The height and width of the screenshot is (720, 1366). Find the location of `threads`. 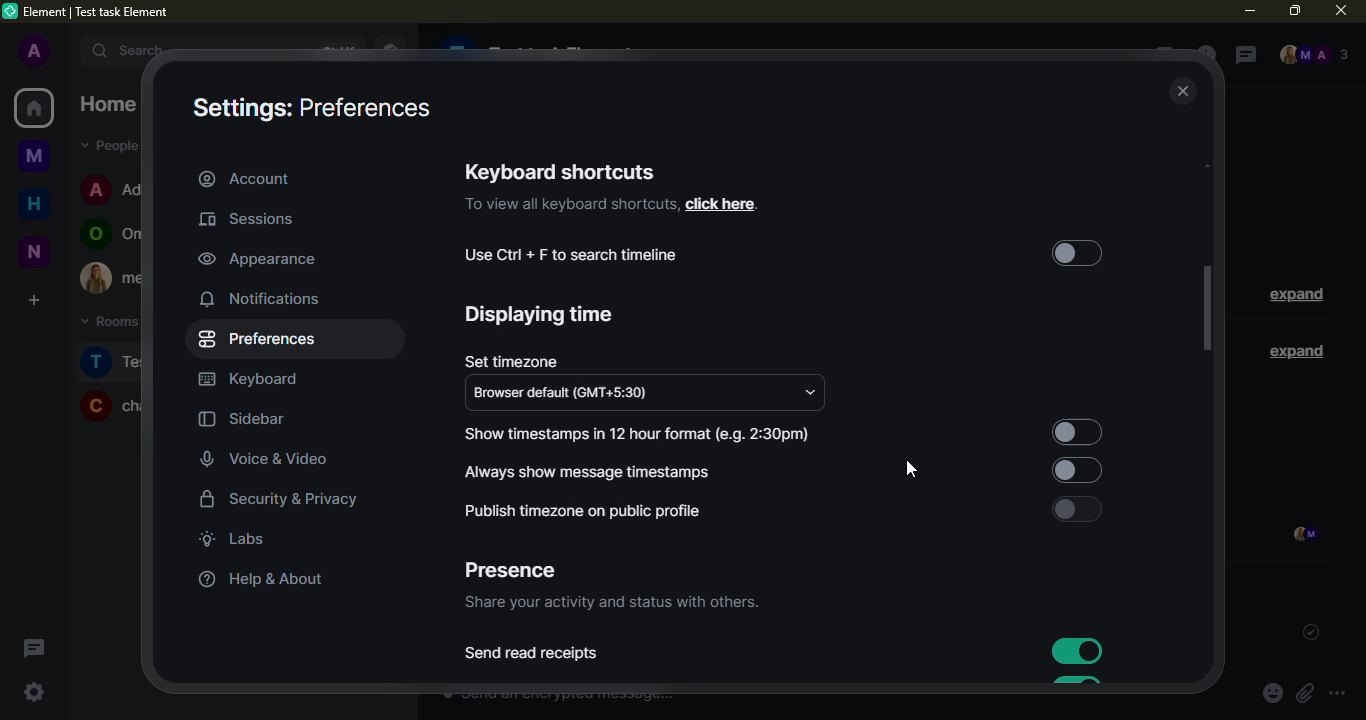

threads is located at coordinates (1242, 56).